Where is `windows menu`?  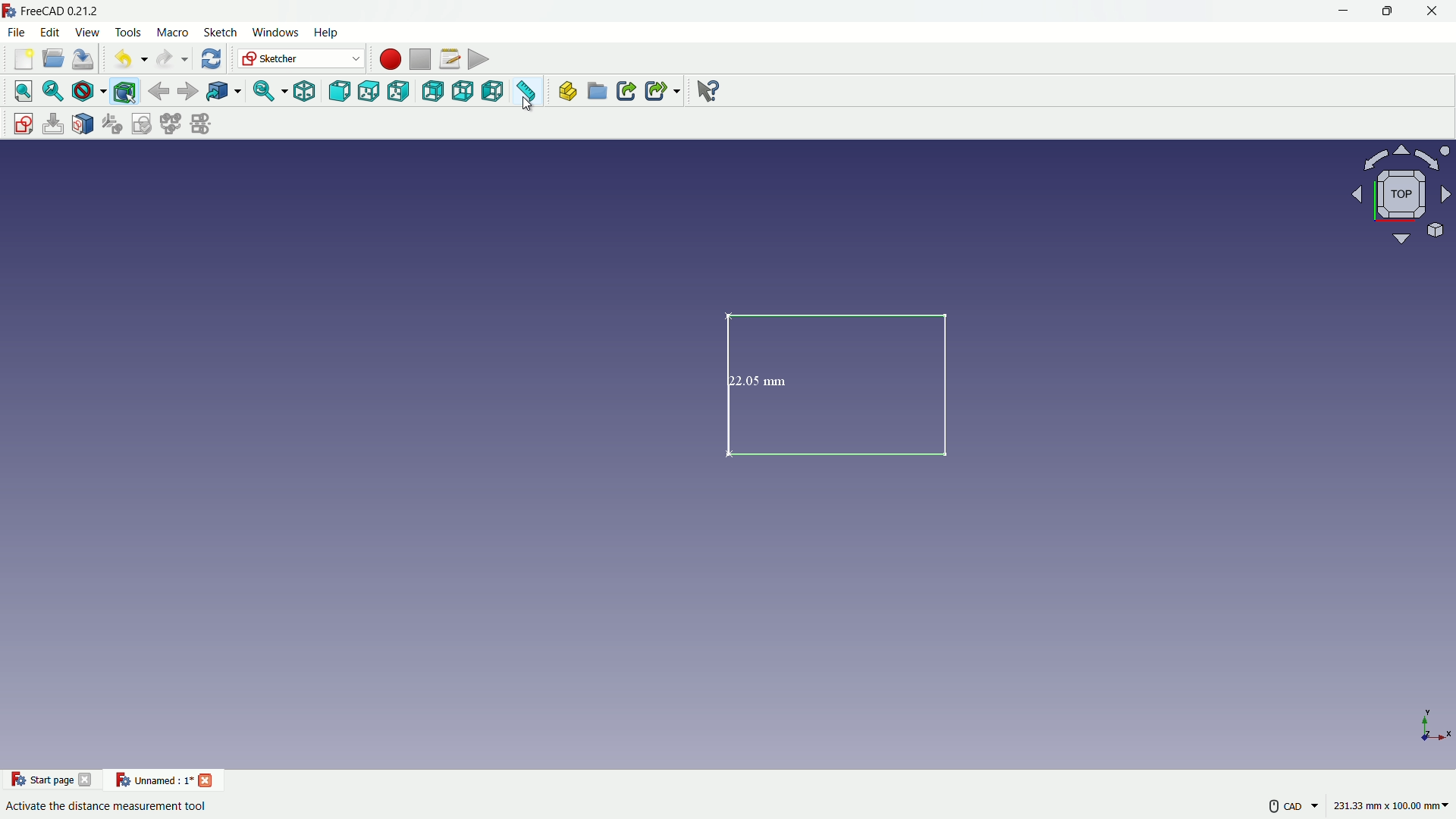 windows menu is located at coordinates (275, 32).